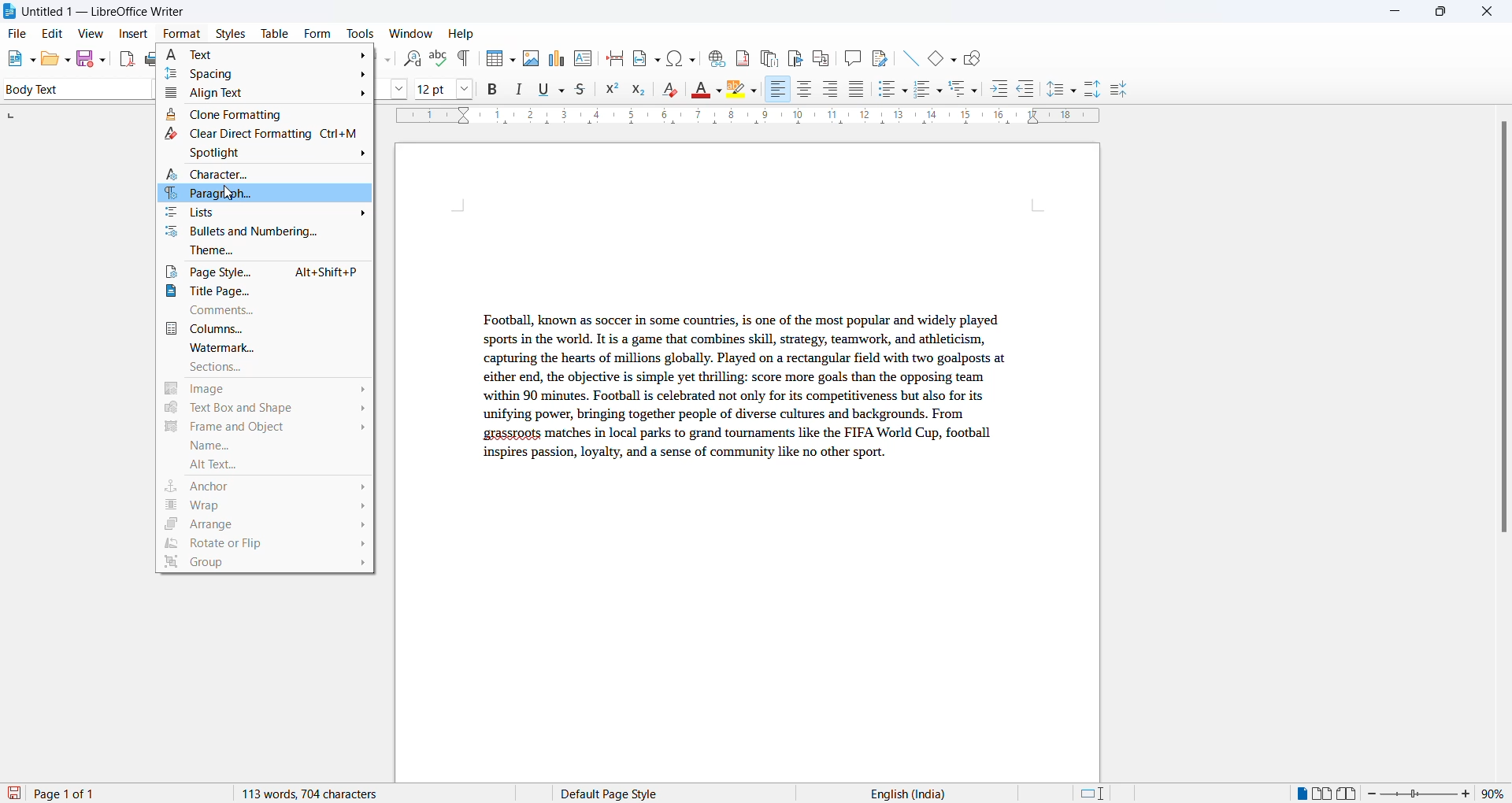 The image size is (1512, 803). I want to click on insert field, so click(645, 56).